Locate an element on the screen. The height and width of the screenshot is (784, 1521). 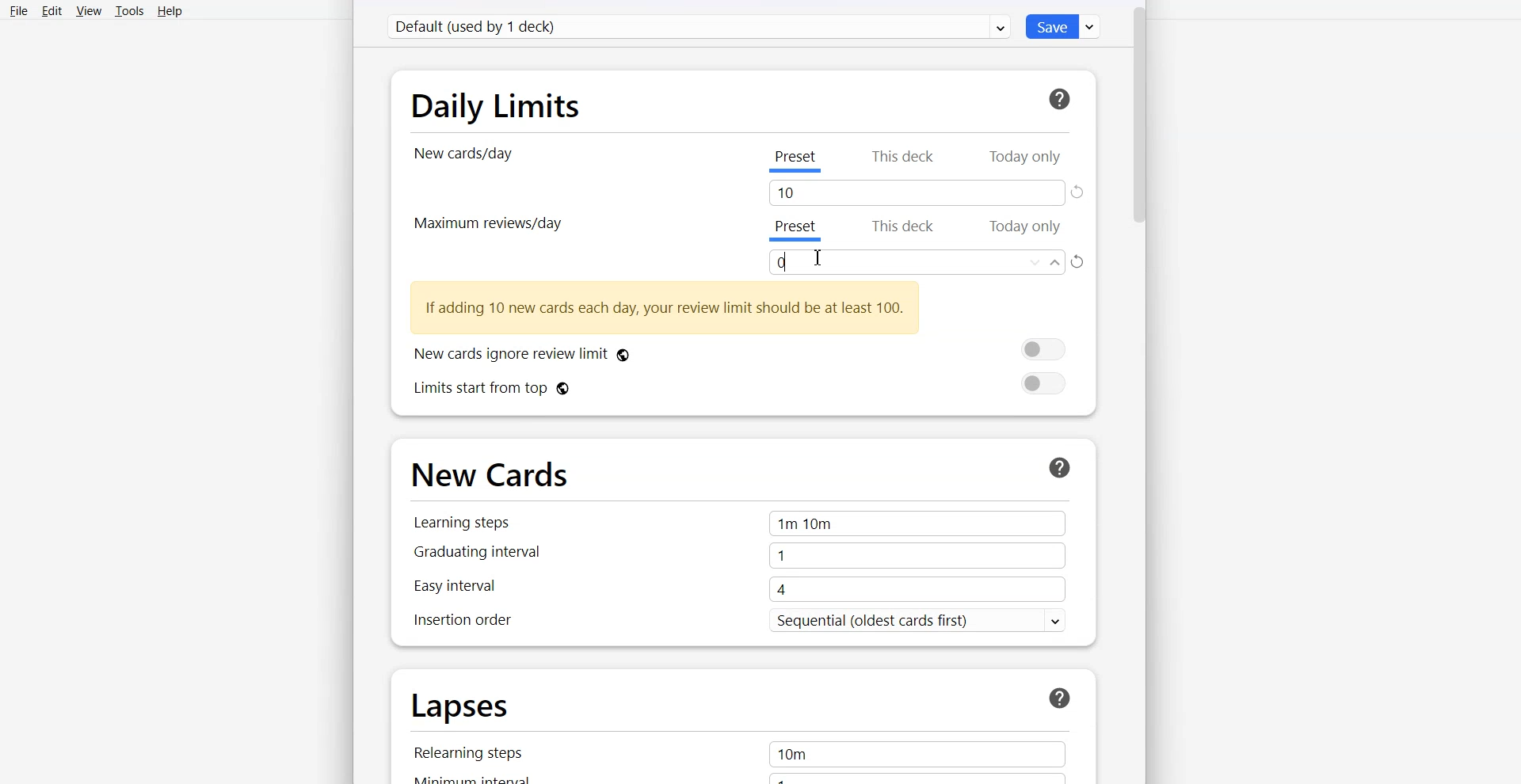
Preset is located at coordinates (795, 162).